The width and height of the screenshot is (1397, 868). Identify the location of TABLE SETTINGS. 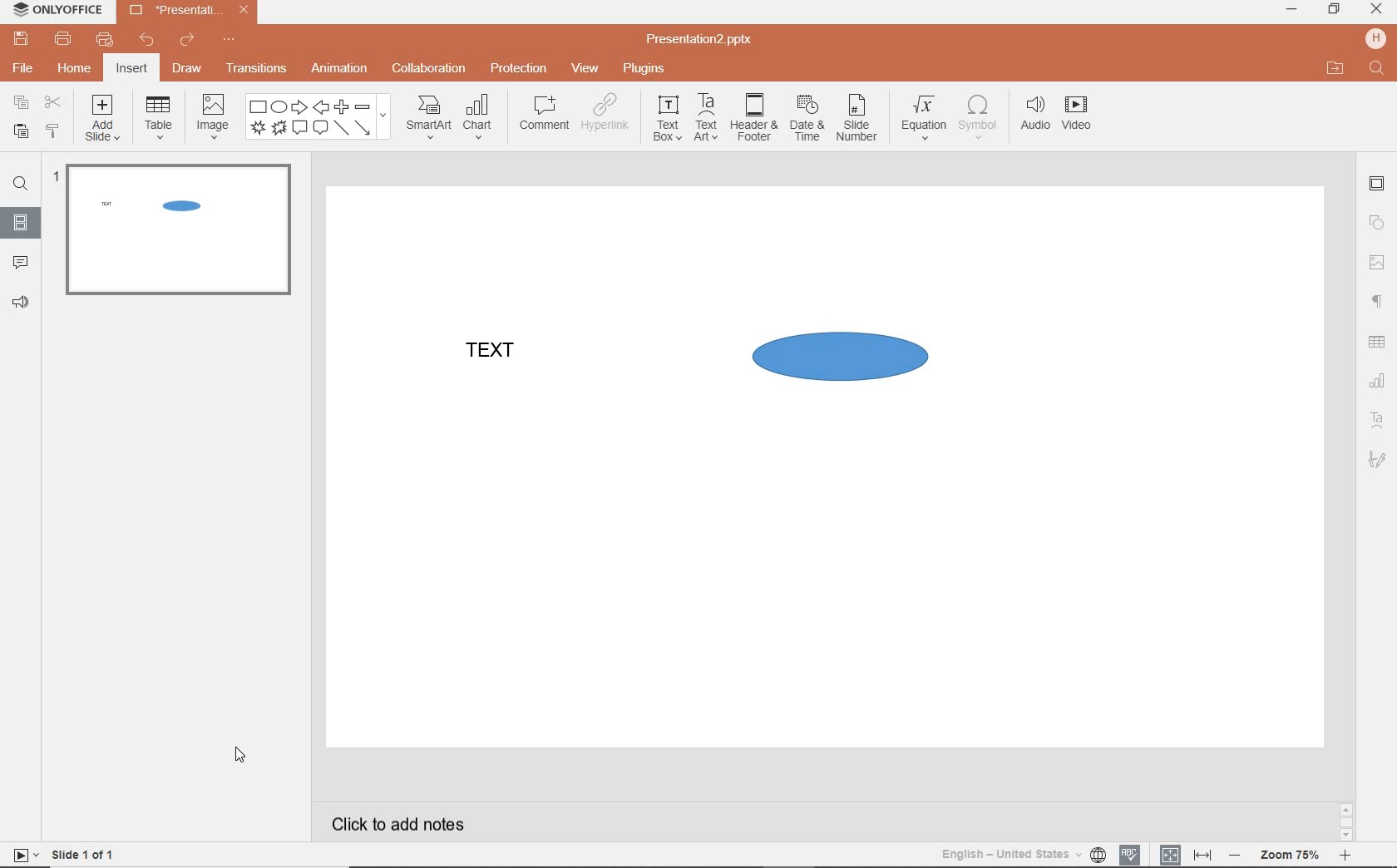
(1377, 343).